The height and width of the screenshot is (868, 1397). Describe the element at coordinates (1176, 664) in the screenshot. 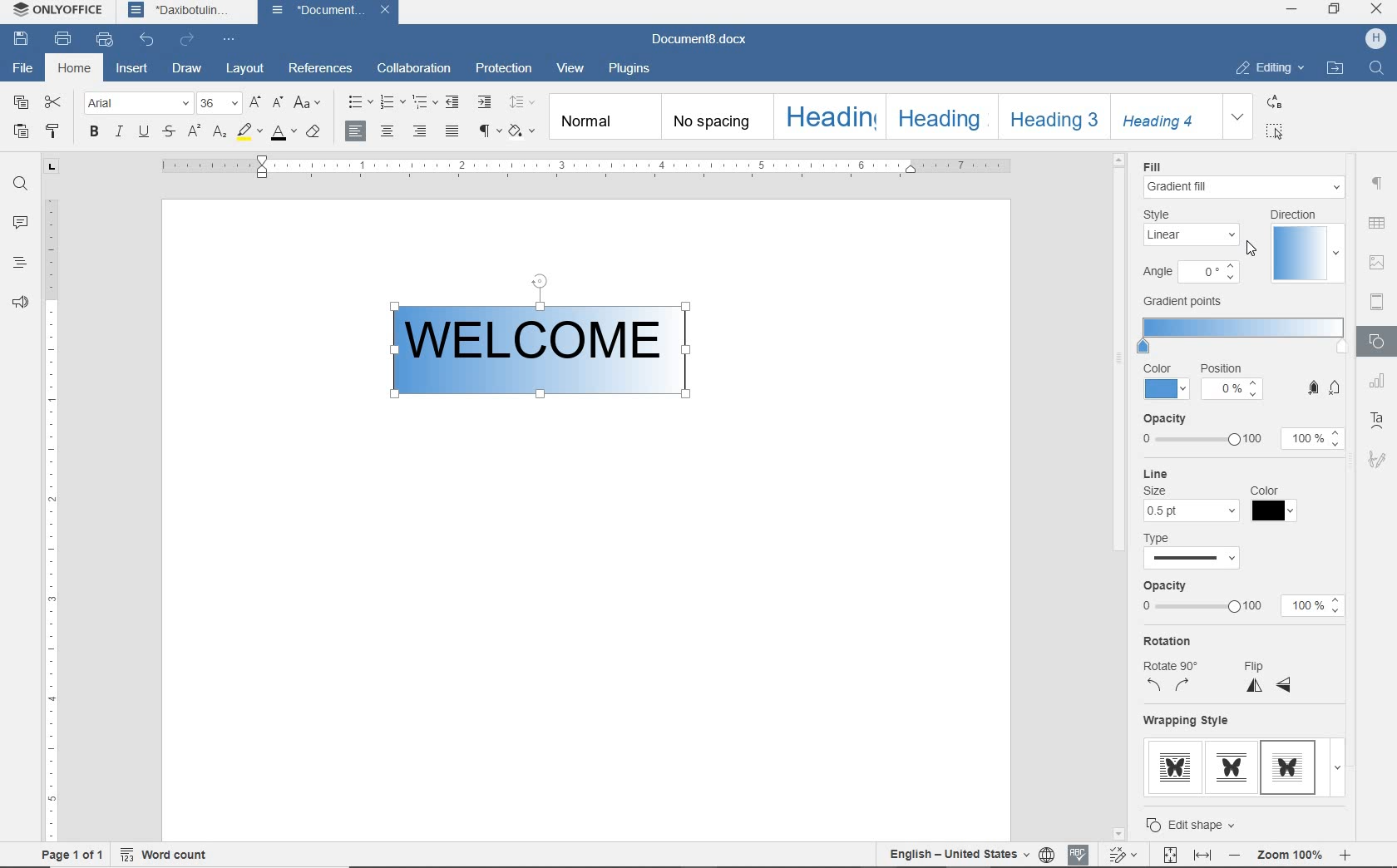

I see `Rotate 90` at that location.